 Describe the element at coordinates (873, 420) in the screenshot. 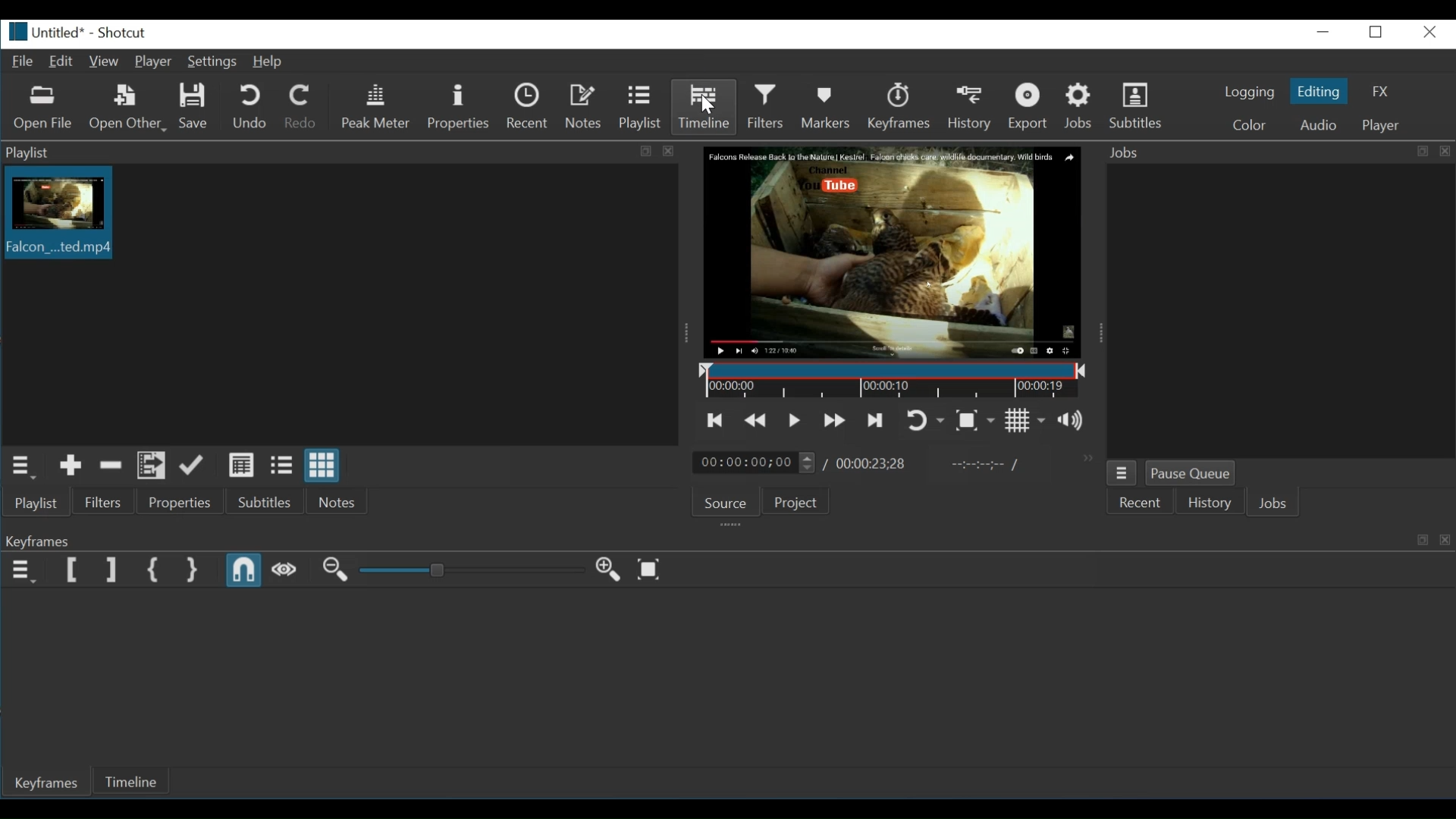

I see `Skip to the next point` at that location.